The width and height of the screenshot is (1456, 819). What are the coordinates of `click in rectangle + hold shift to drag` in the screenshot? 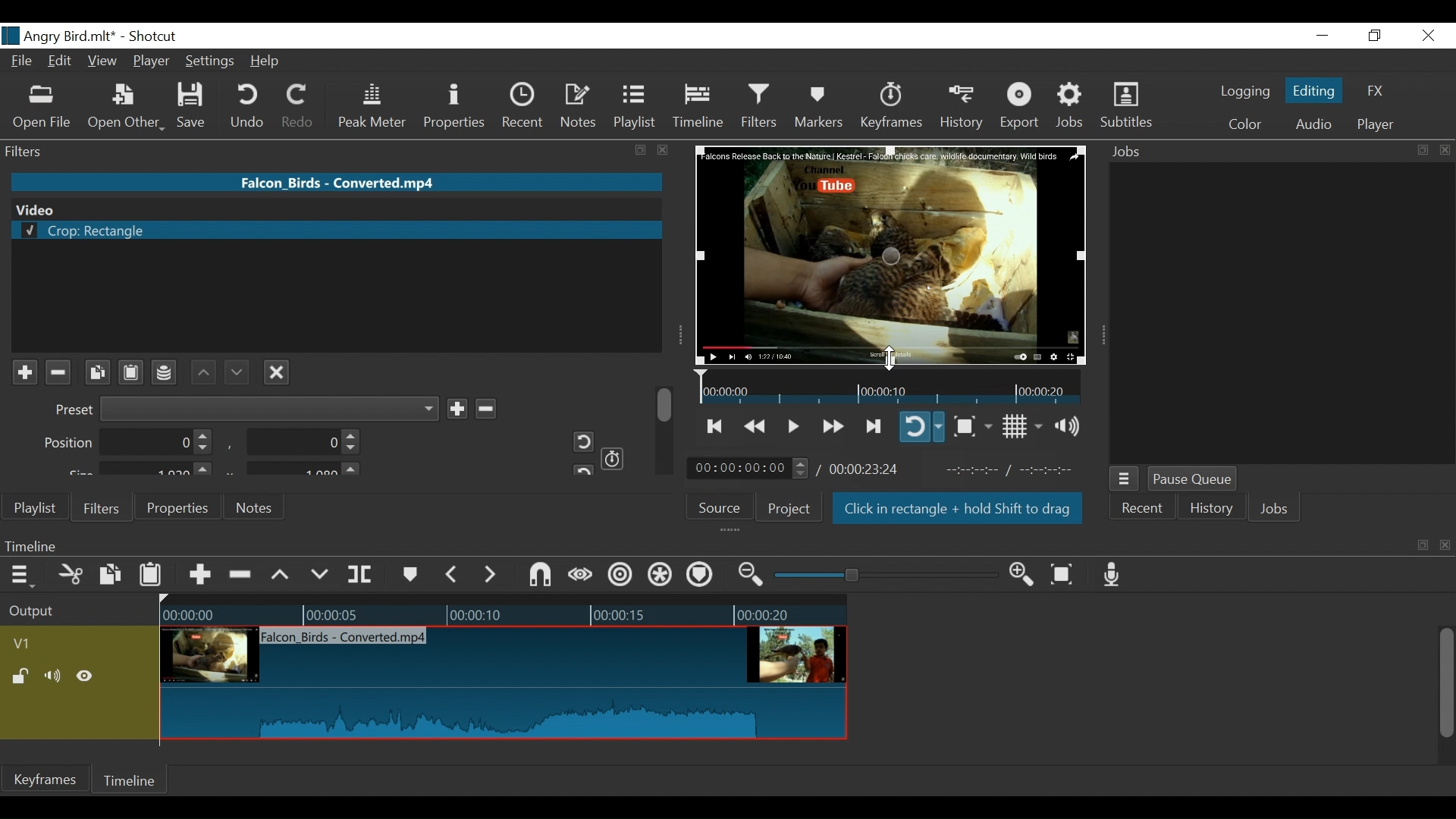 It's located at (959, 510).